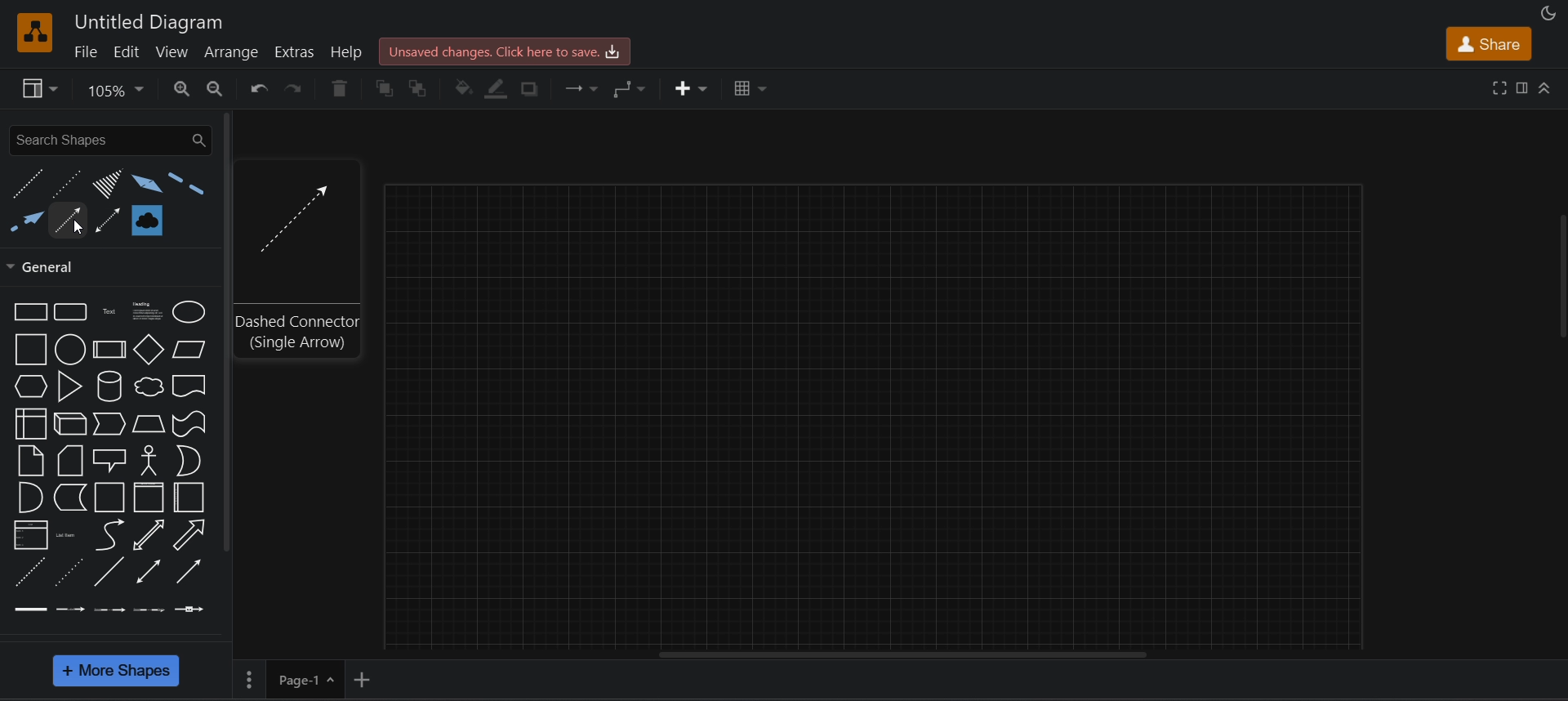 Image resolution: width=1568 pixels, height=701 pixels. I want to click on cylinder, so click(107, 386).